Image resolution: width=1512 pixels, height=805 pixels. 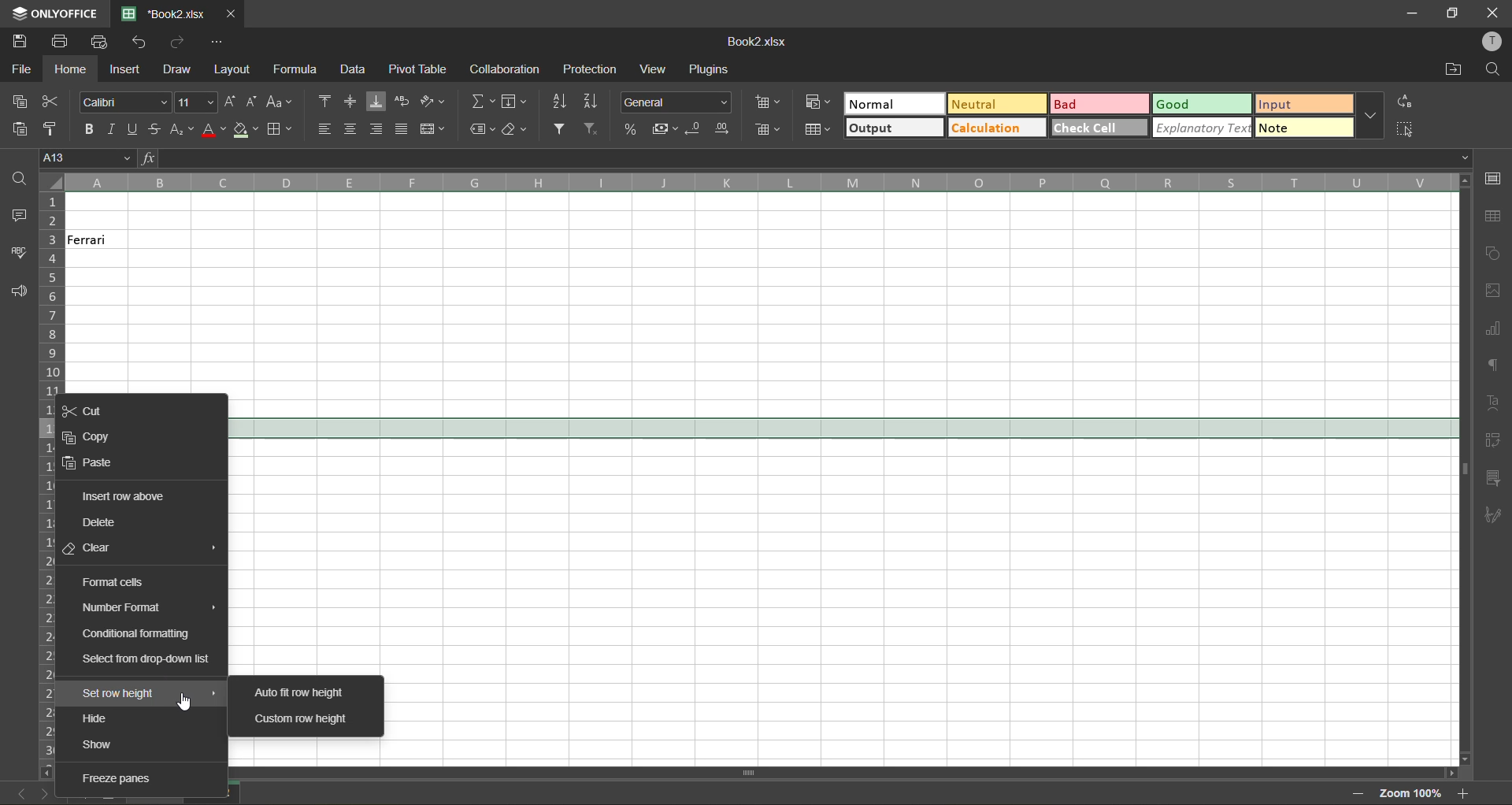 What do you see at coordinates (997, 128) in the screenshot?
I see `calculation` at bounding box center [997, 128].